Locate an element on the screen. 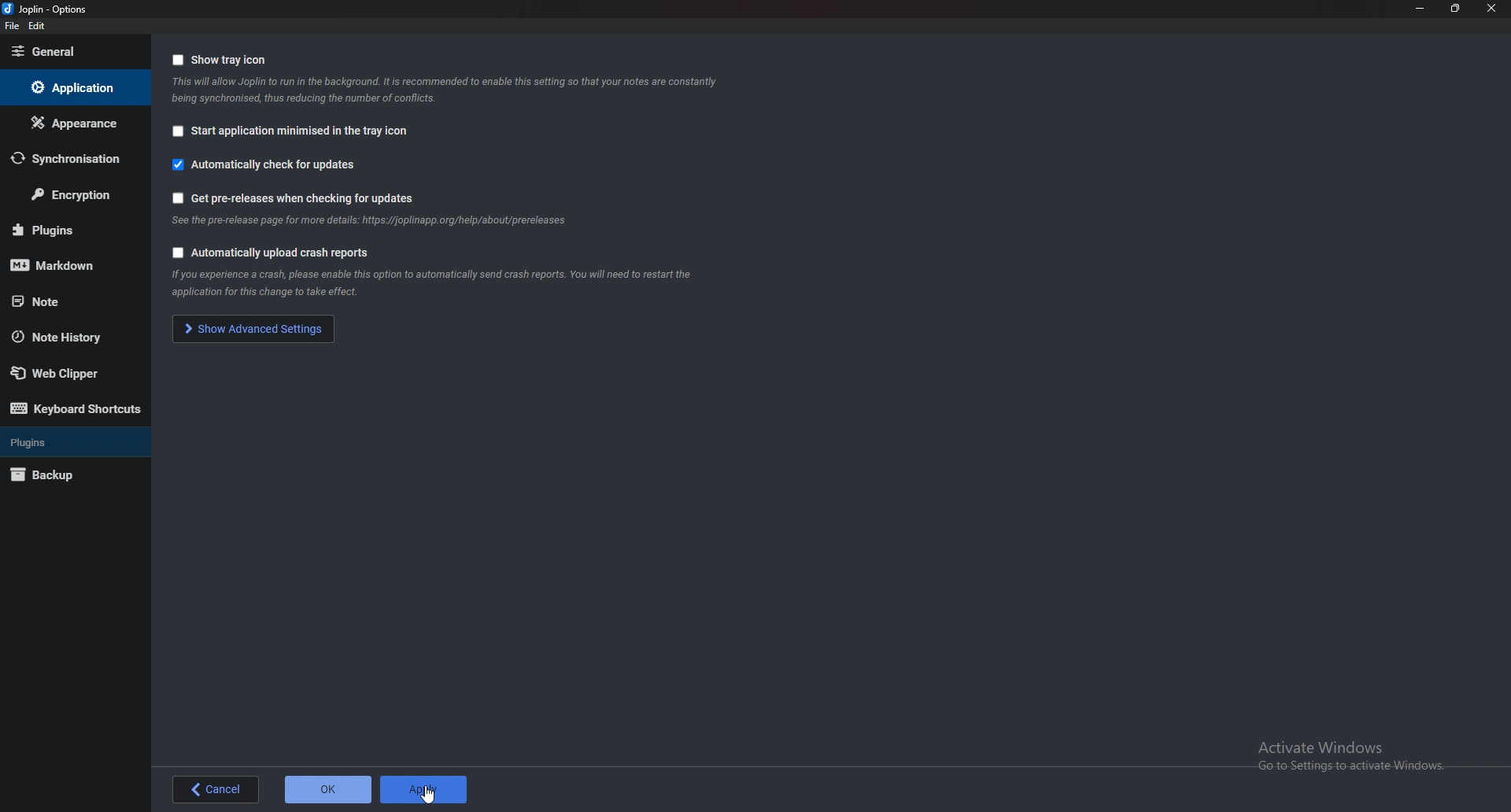 This screenshot has width=1511, height=812. Note history is located at coordinates (71, 336).